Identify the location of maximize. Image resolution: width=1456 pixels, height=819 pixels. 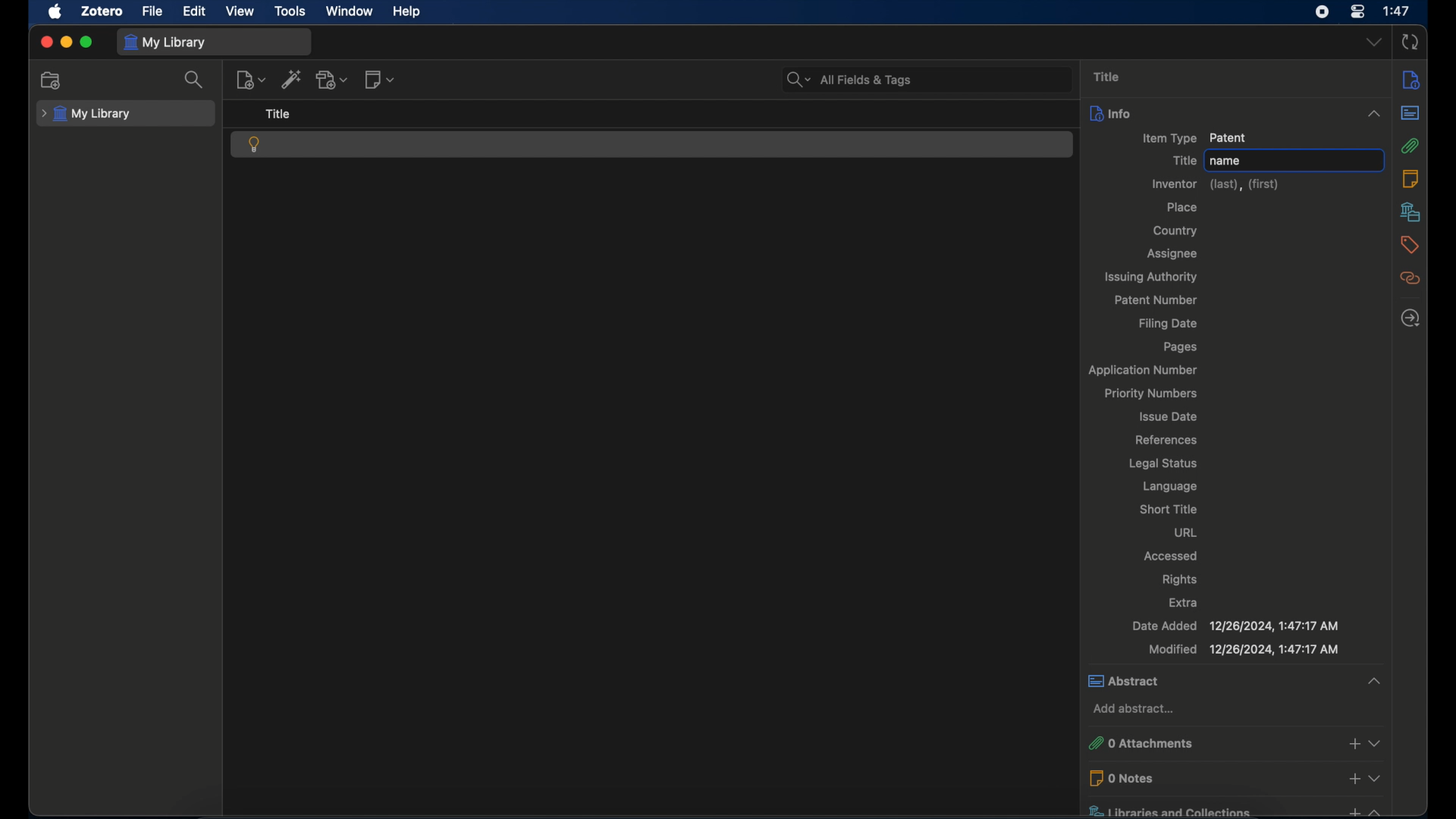
(87, 42).